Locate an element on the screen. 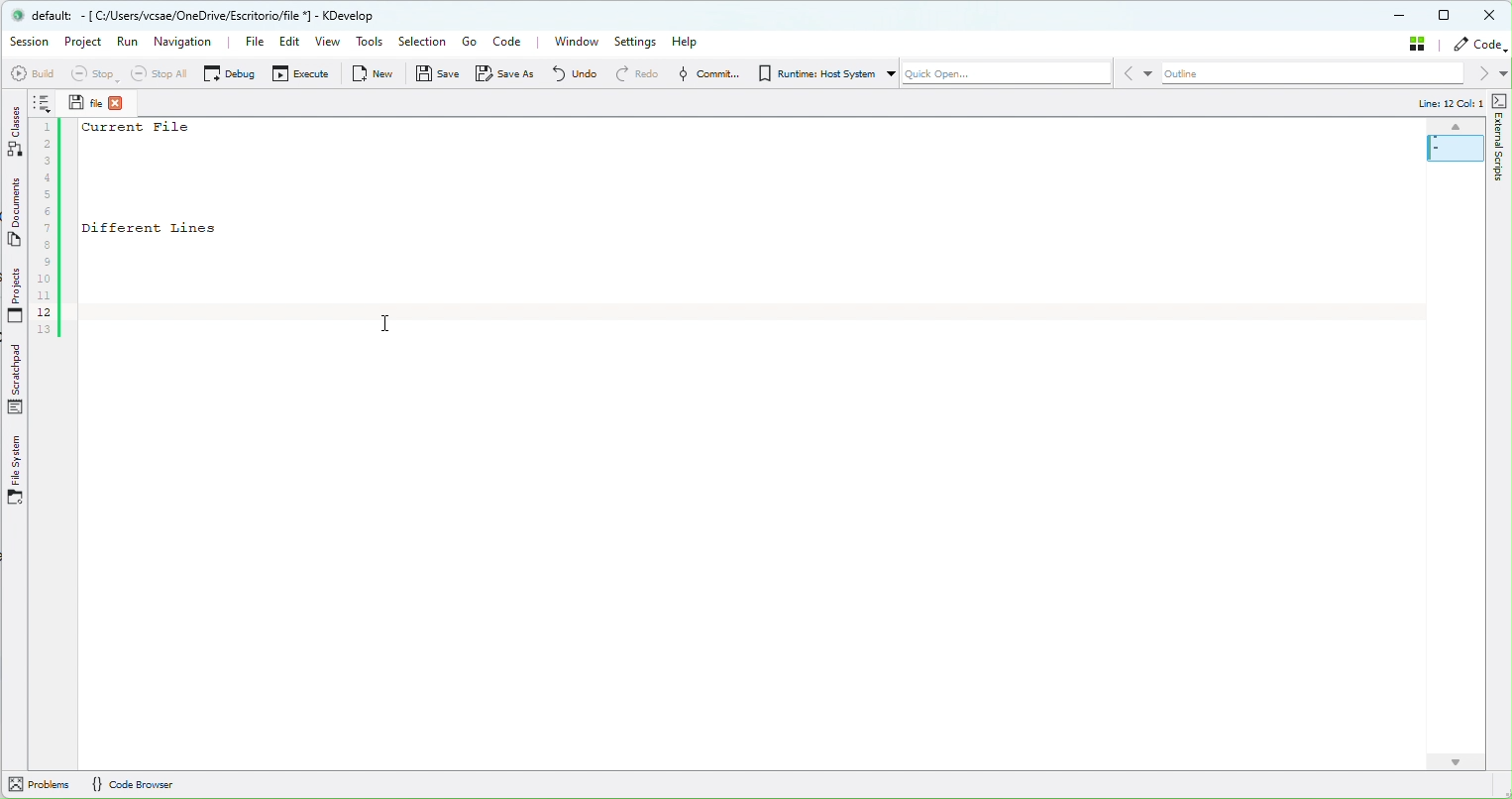 This screenshot has width=1512, height=799. View is located at coordinates (326, 41).